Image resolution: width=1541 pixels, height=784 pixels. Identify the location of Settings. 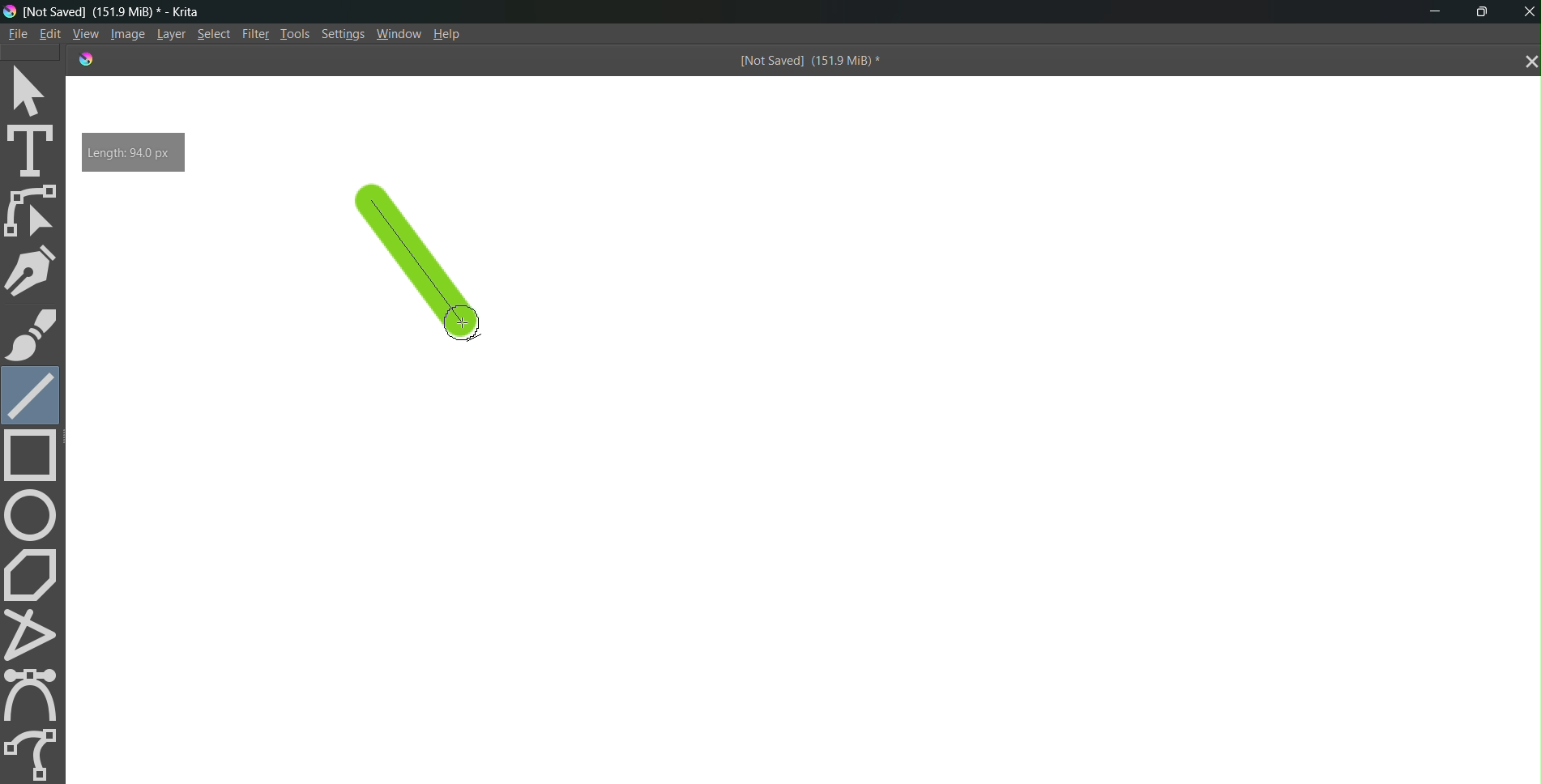
(344, 36).